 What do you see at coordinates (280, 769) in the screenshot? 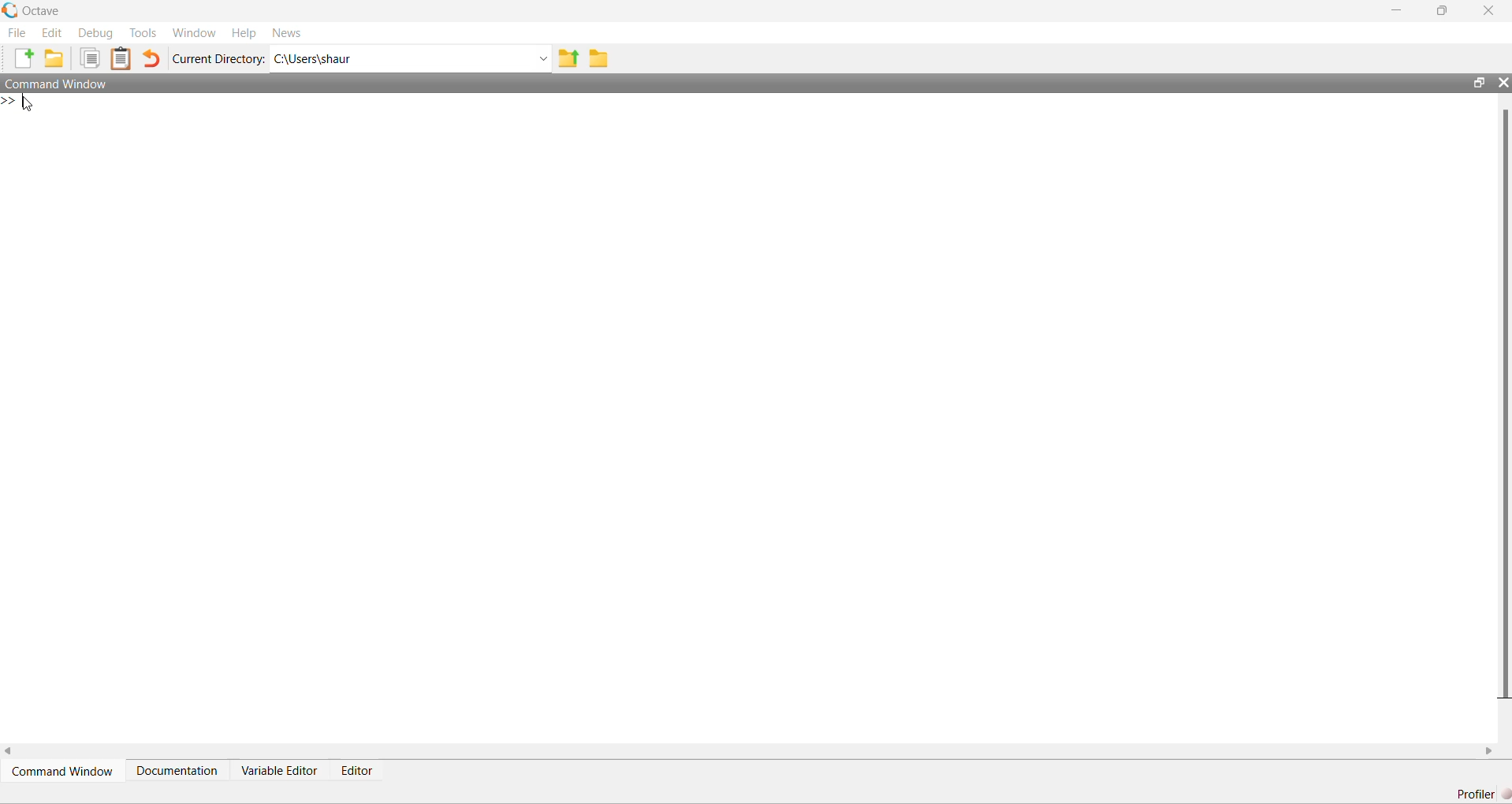
I see `Variable Editor` at bounding box center [280, 769].